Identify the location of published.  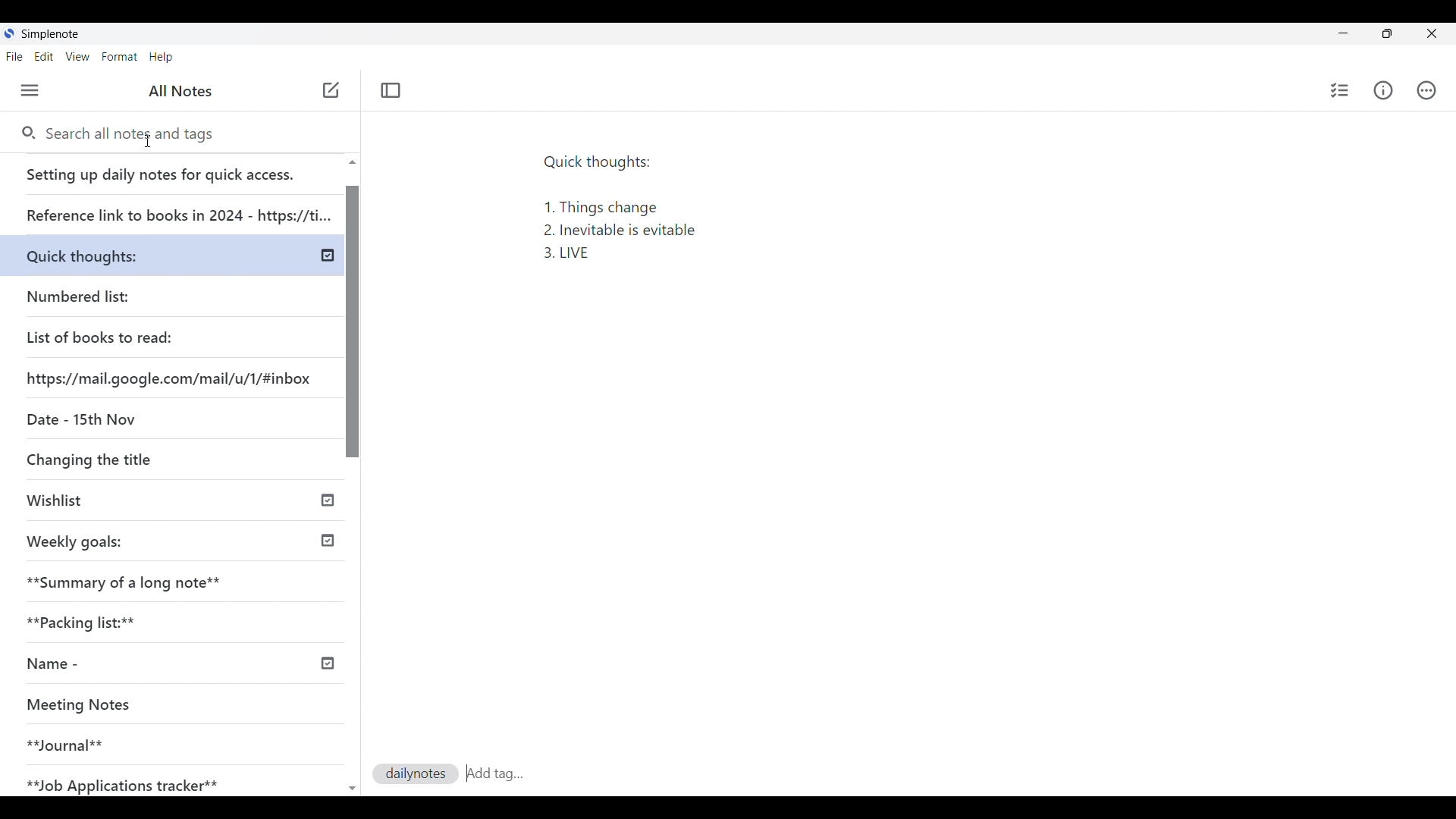
(328, 541).